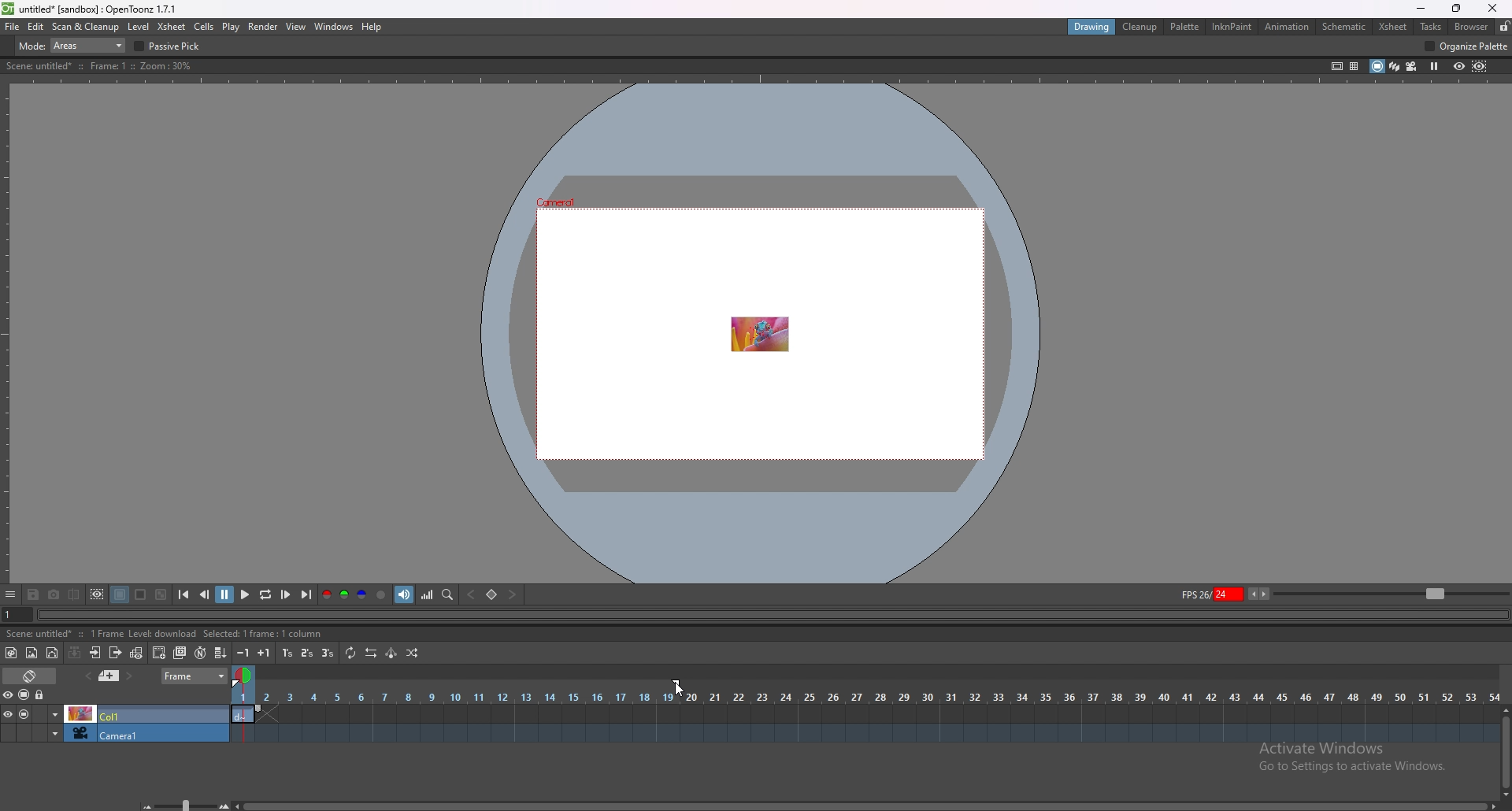 The height and width of the screenshot is (811, 1512). Describe the element at coordinates (1467, 46) in the screenshot. I see `organize palette` at that location.